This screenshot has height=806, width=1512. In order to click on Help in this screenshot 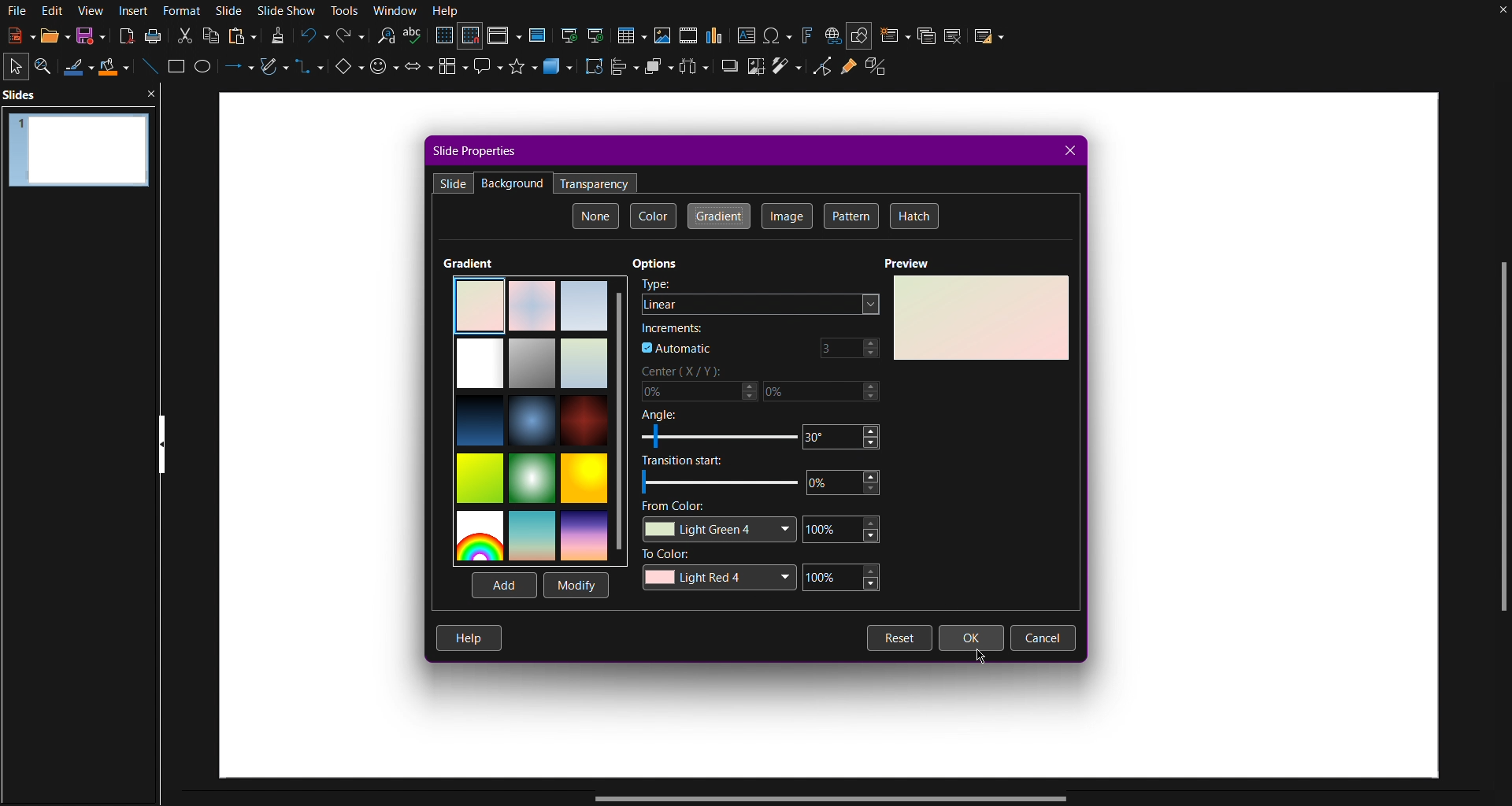, I will do `click(469, 638)`.